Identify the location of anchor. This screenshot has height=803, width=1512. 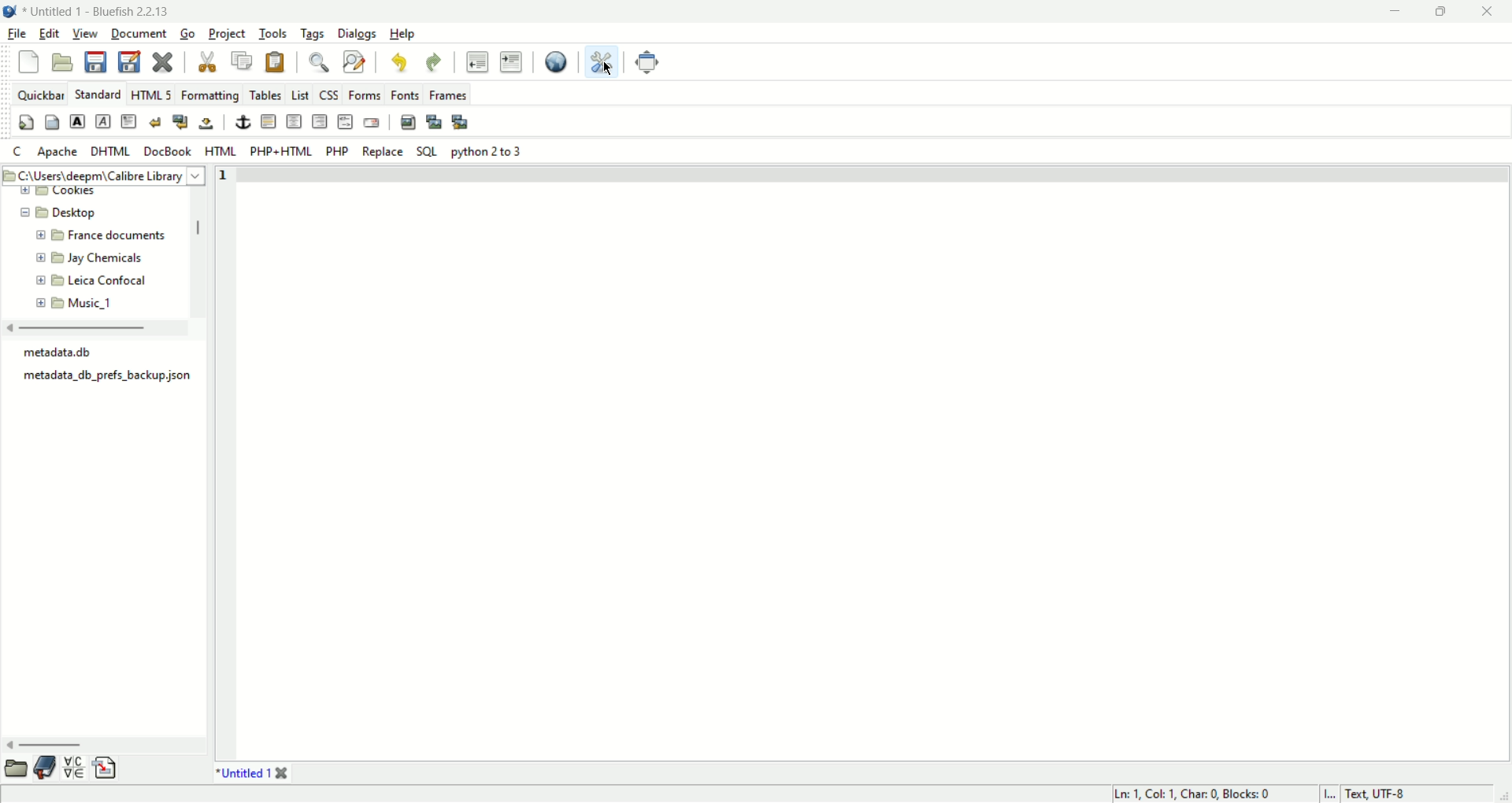
(243, 122).